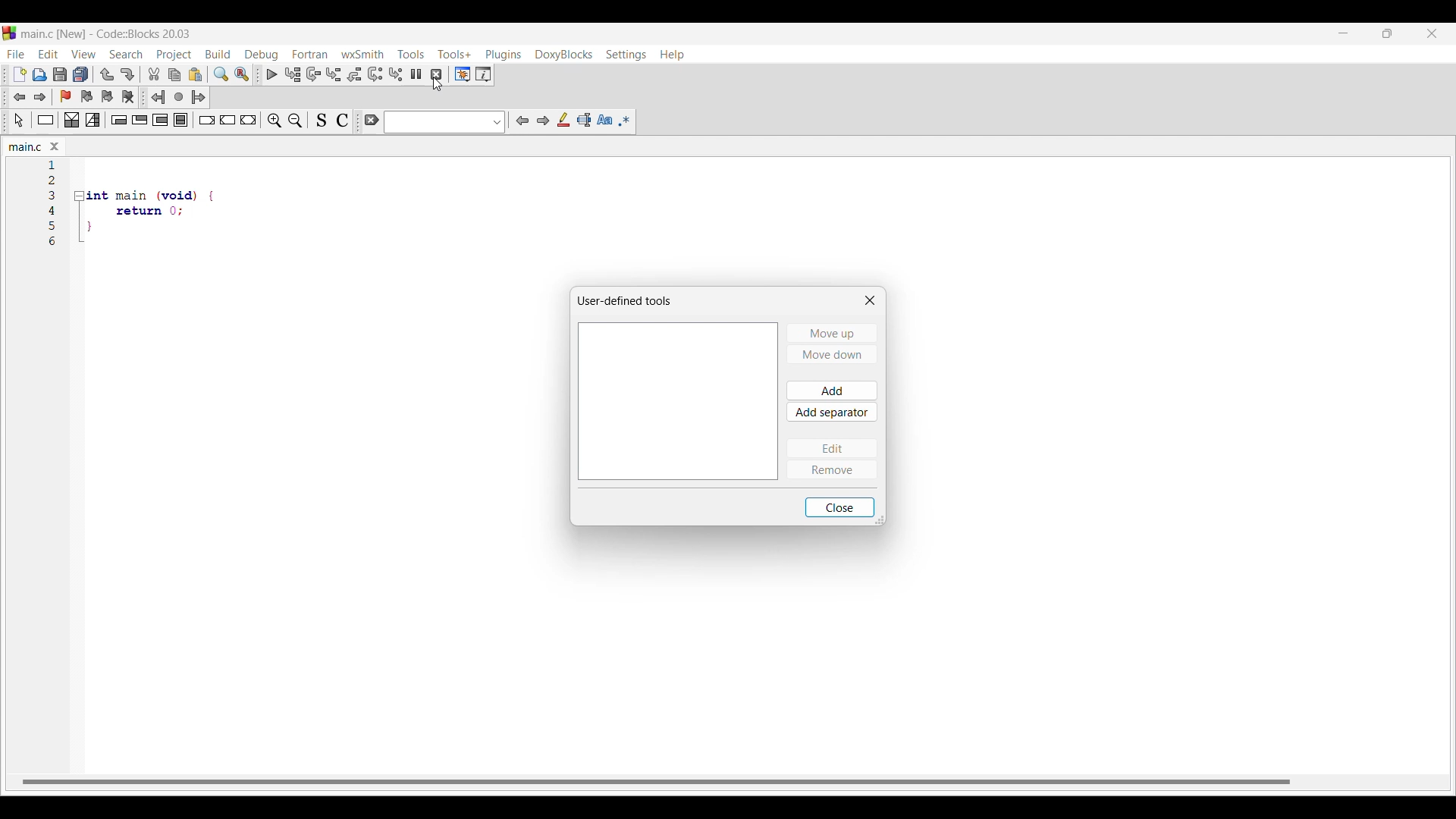 This screenshot has height=819, width=1456. What do you see at coordinates (839, 507) in the screenshot?
I see `Close` at bounding box center [839, 507].